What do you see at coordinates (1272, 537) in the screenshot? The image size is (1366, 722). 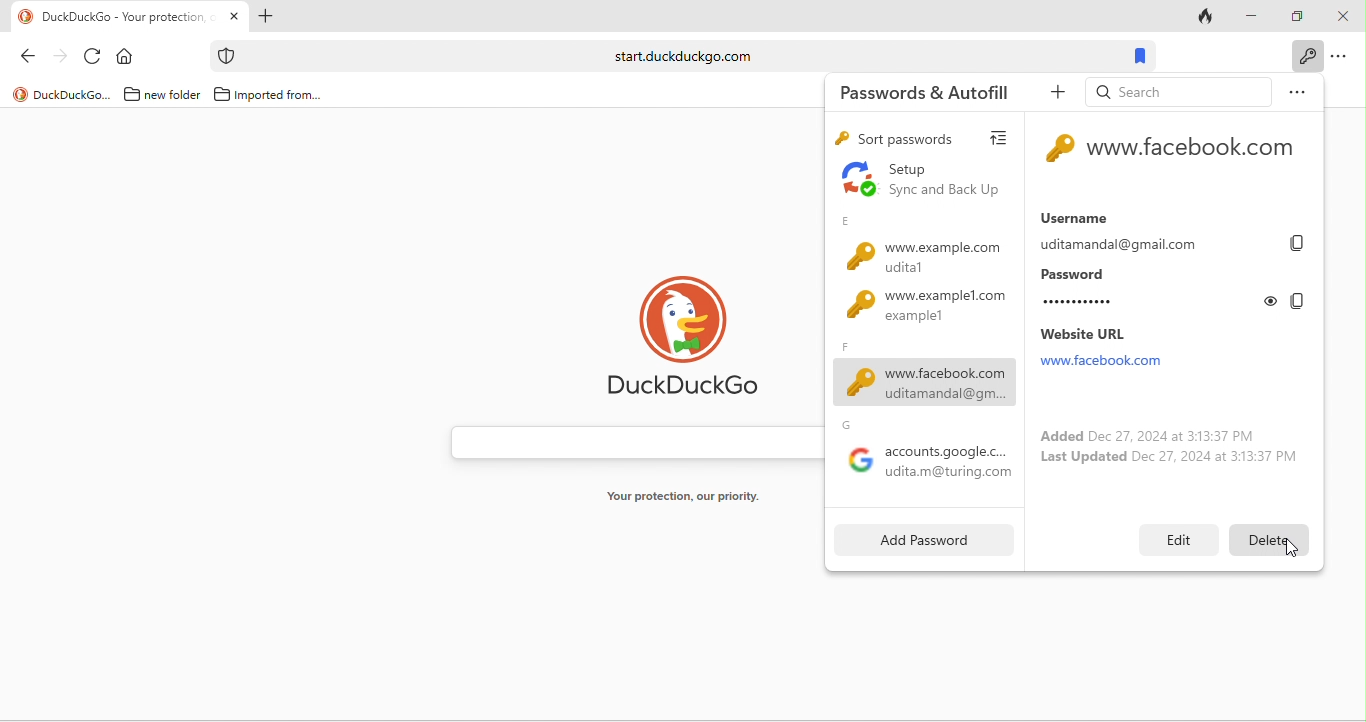 I see `delete` at bounding box center [1272, 537].